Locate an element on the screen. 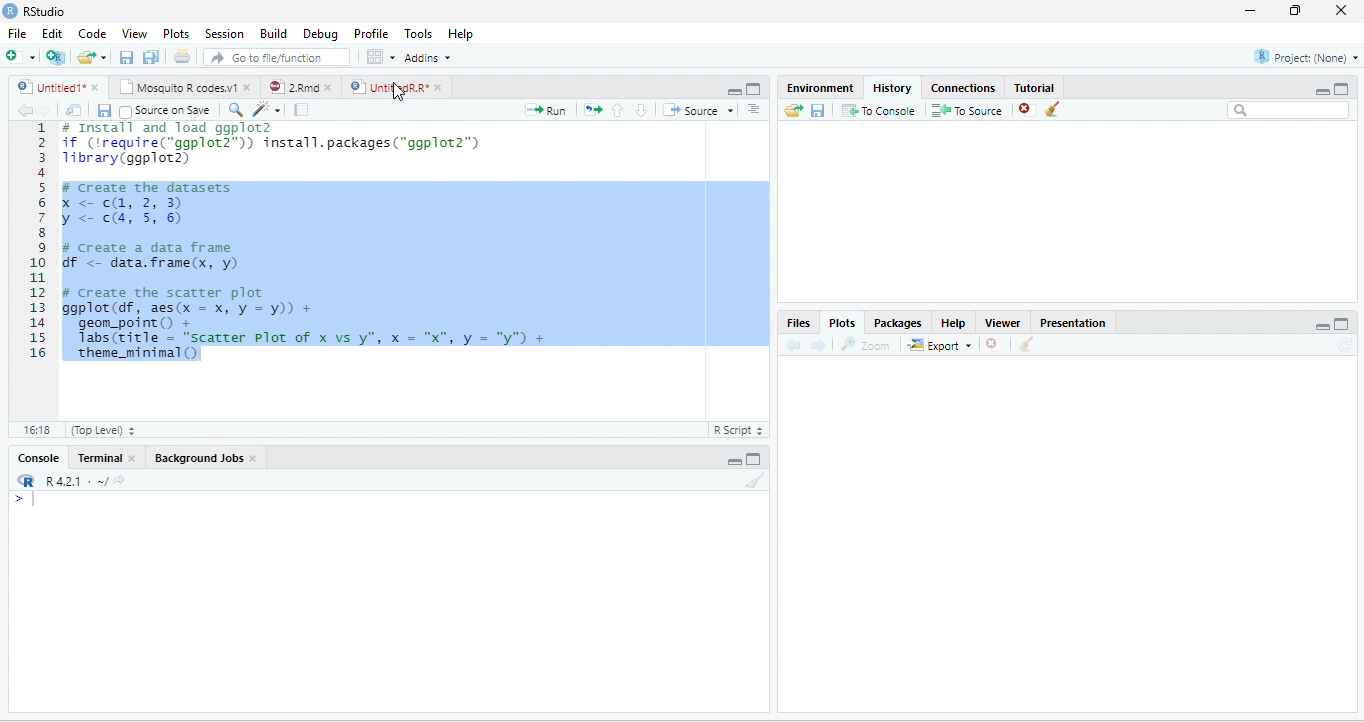  Next plot is located at coordinates (818, 345).